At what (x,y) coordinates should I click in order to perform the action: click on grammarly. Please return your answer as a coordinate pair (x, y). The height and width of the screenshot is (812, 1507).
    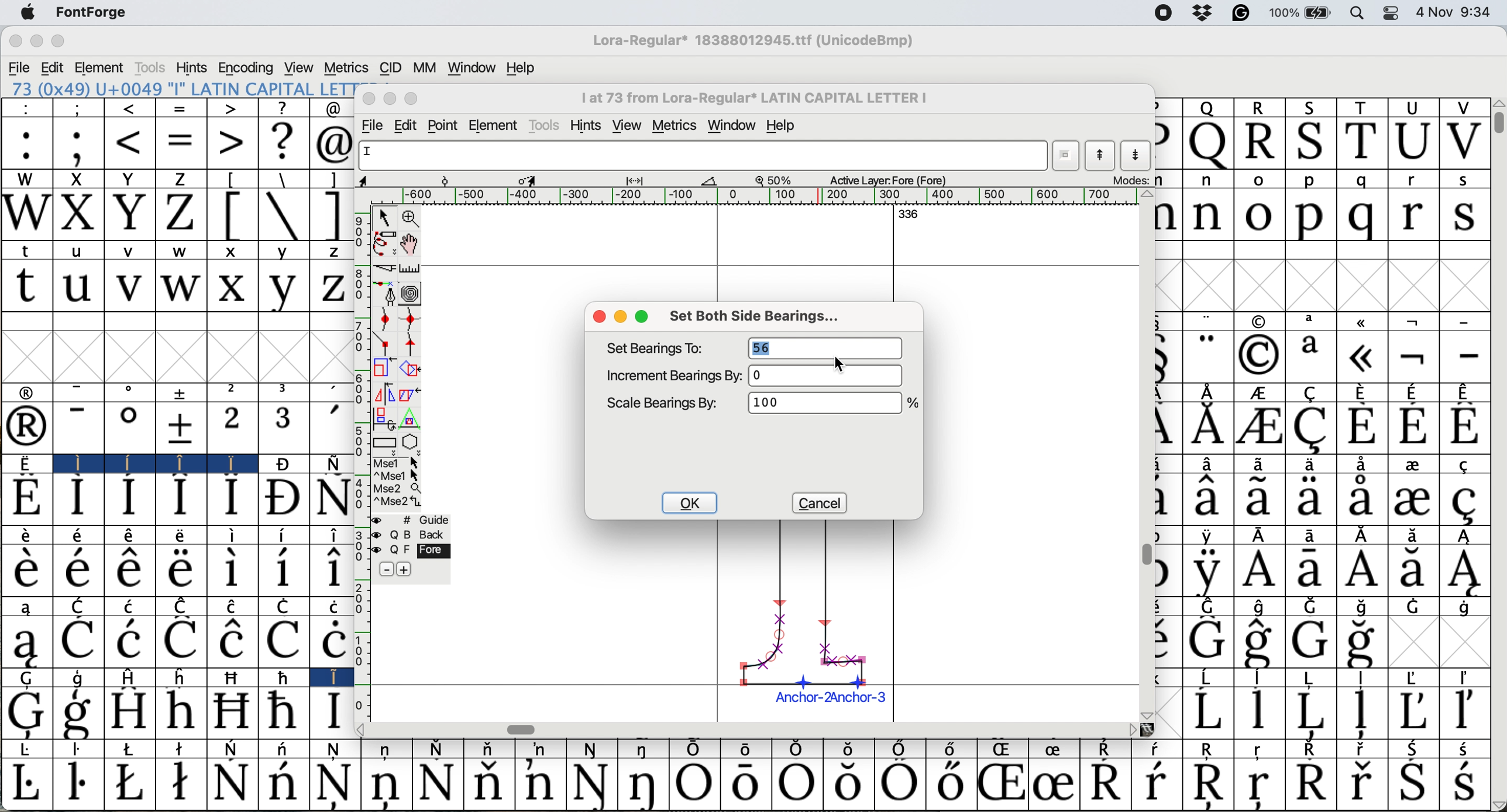
    Looking at the image, I should click on (1246, 14).